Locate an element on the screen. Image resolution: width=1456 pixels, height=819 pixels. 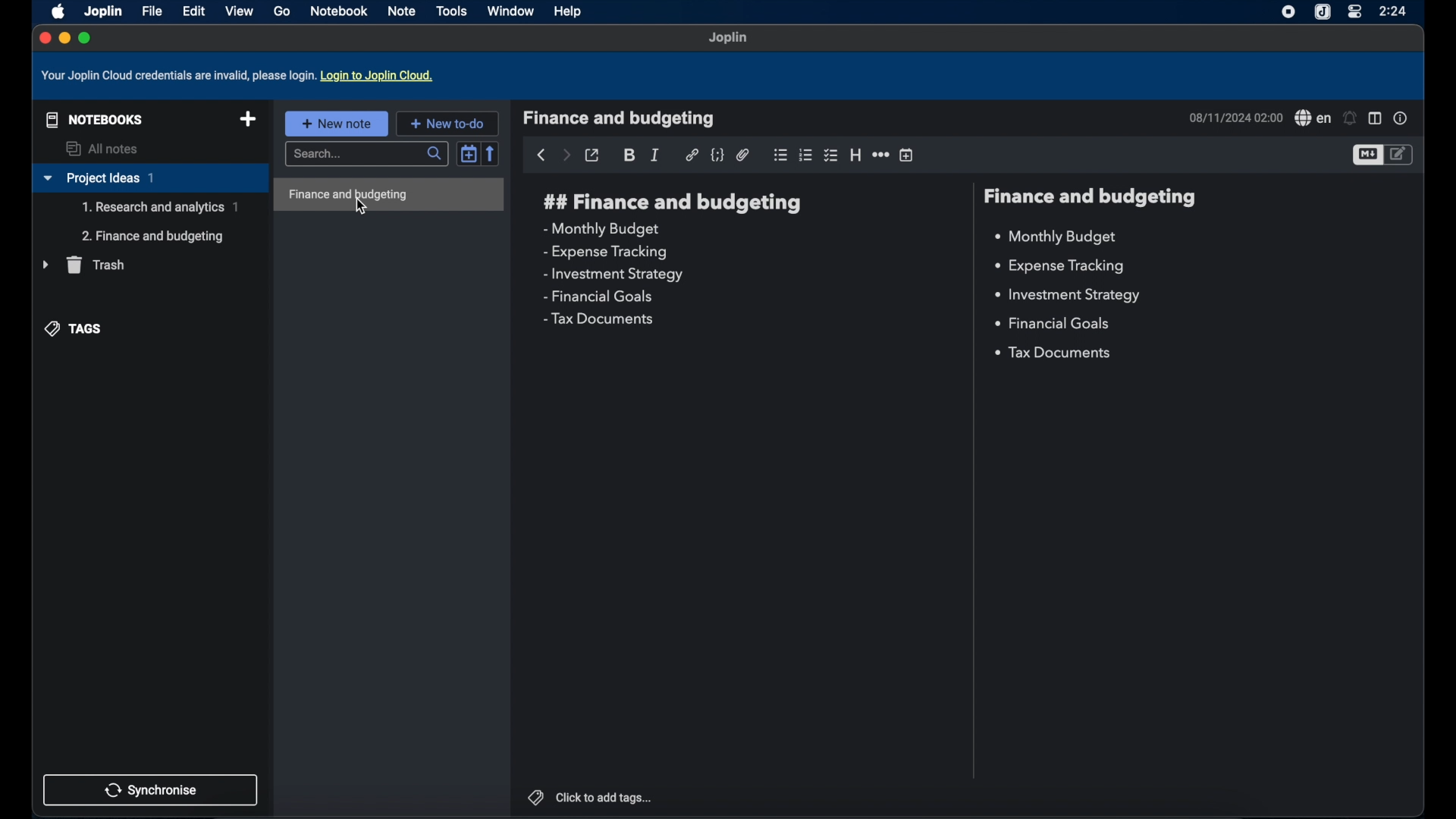
Joplin is located at coordinates (102, 11).